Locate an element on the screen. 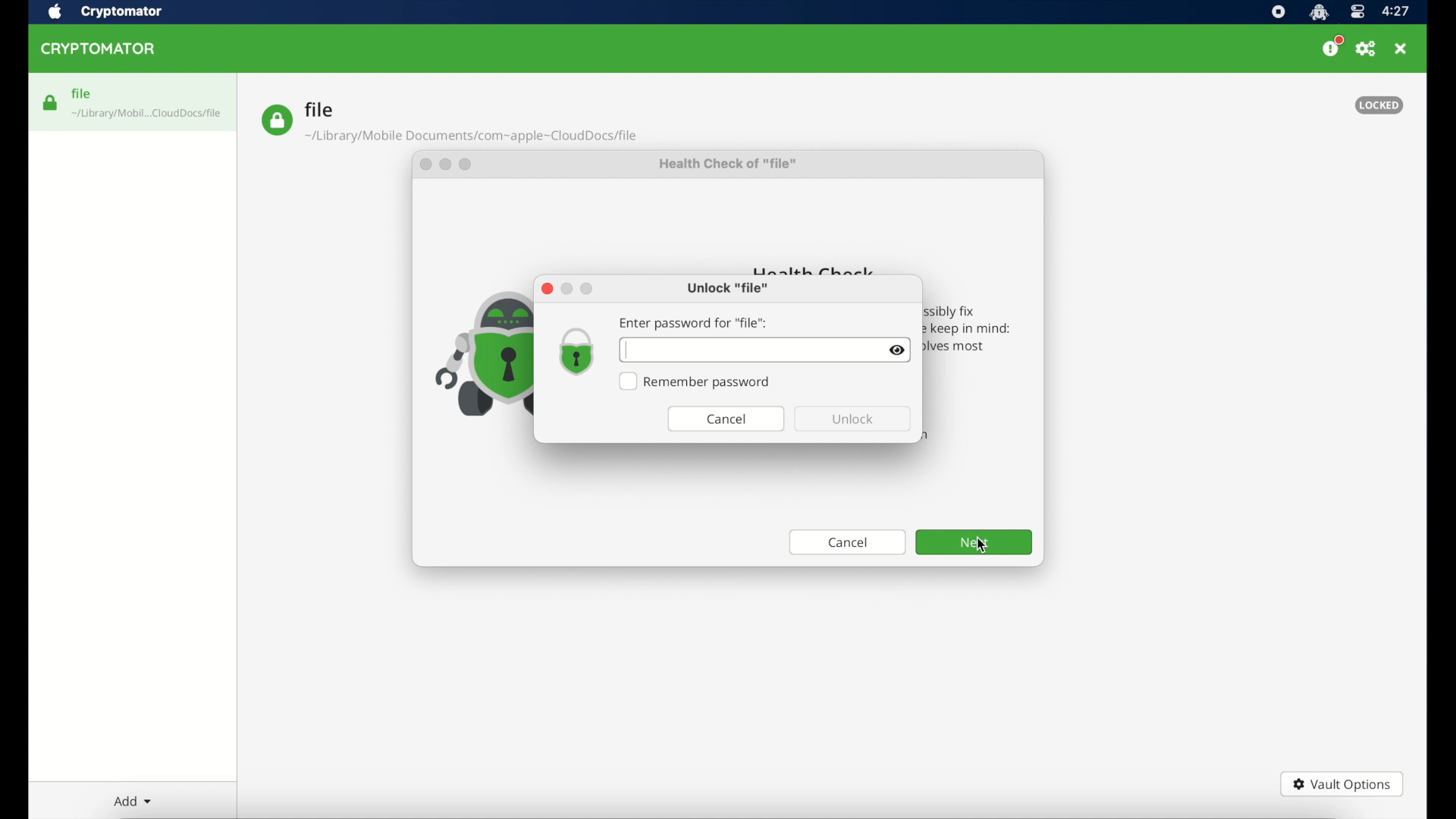 The image size is (1456, 819). cancel is located at coordinates (727, 419).